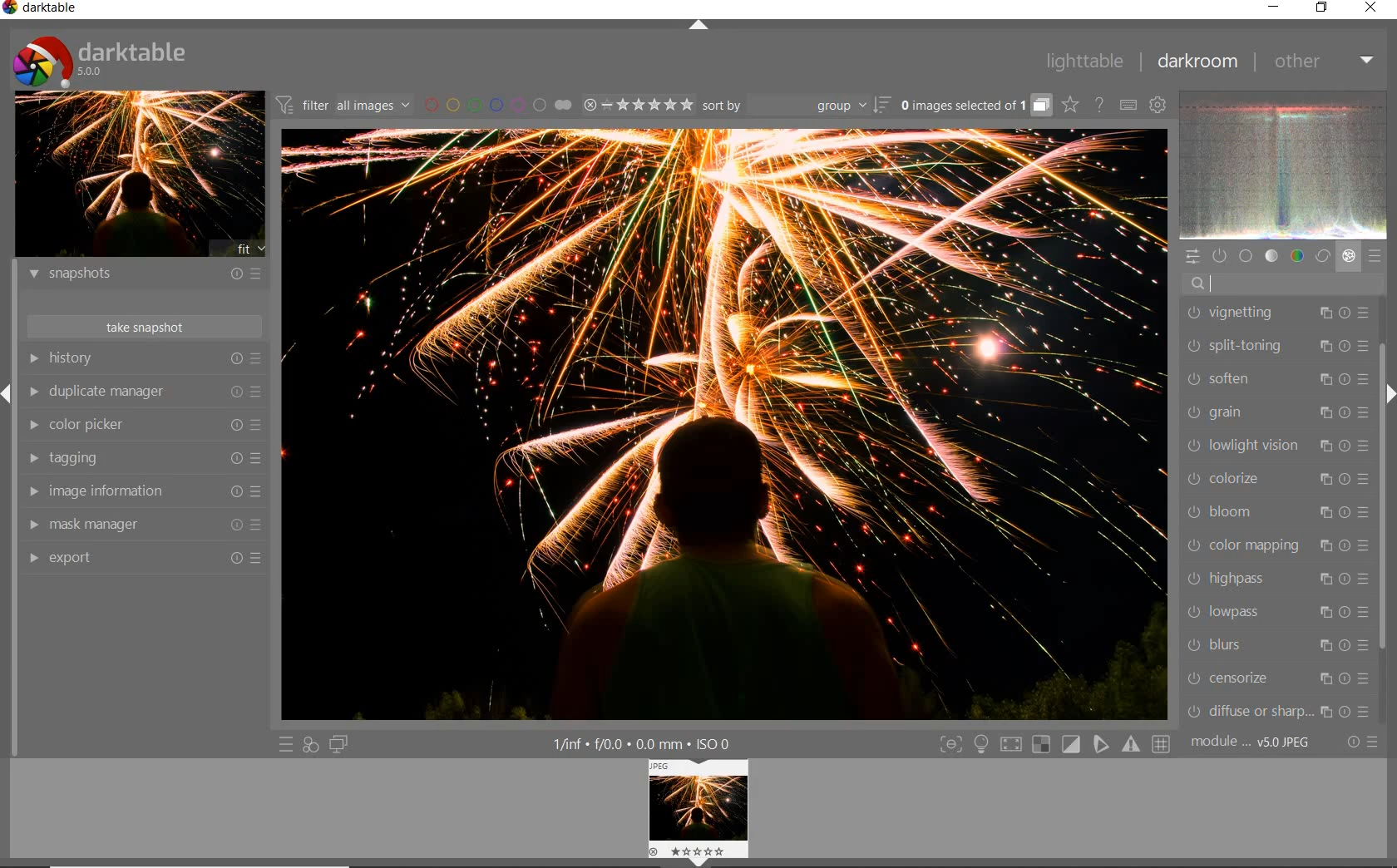 The width and height of the screenshot is (1397, 868). Describe the element at coordinates (288, 745) in the screenshot. I see `quick access to presets` at that location.